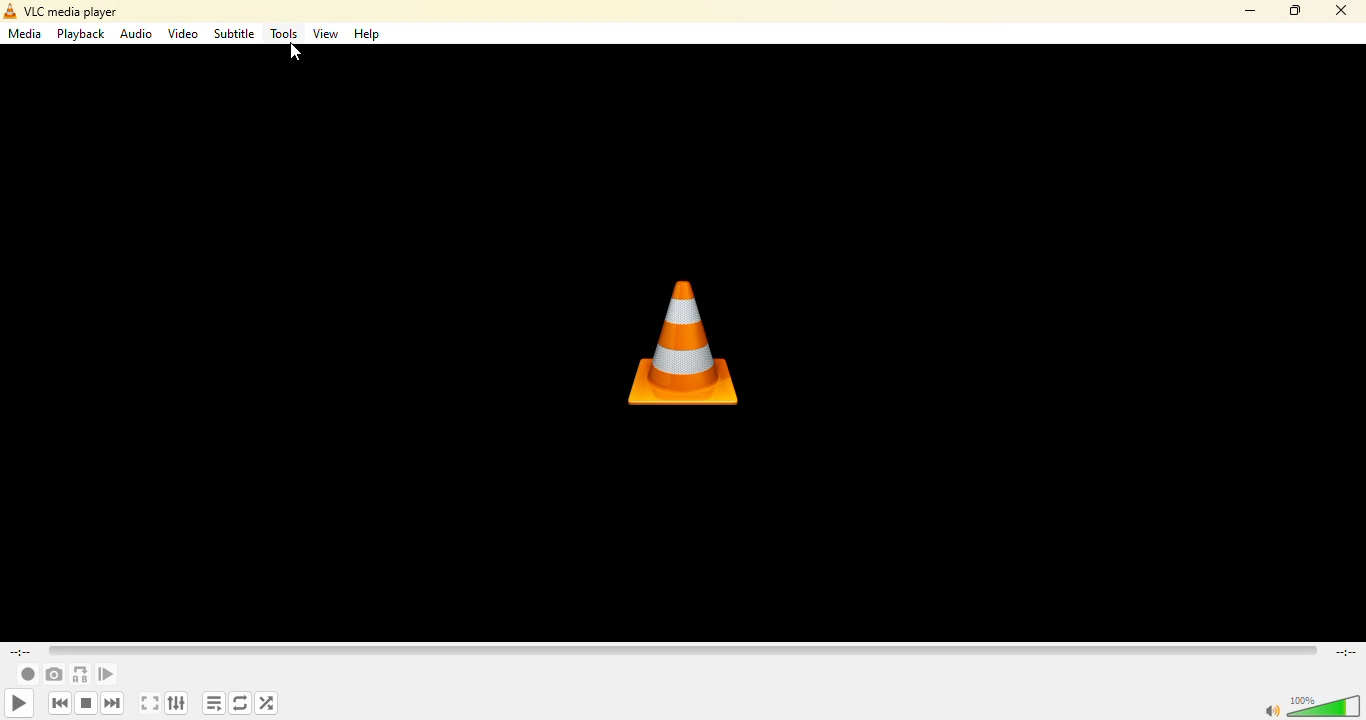 Image resolution: width=1366 pixels, height=720 pixels. What do you see at coordinates (681, 349) in the screenshot?
I see `vlc logo` at bounding box center [681, 349].